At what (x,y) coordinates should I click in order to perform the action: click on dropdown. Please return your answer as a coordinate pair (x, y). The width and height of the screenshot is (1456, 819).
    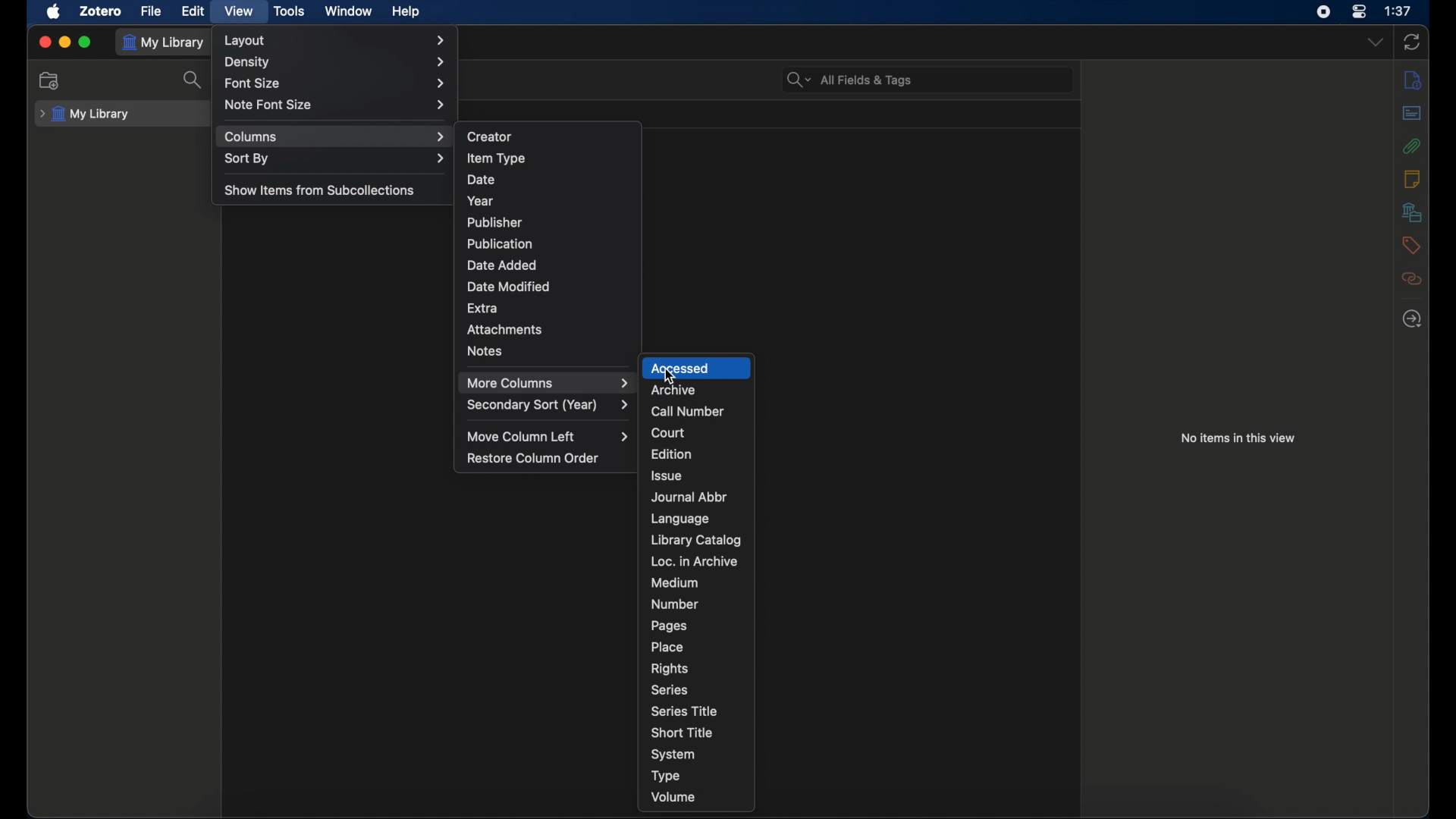
    Looking at the image, I should click on (1374, 42).